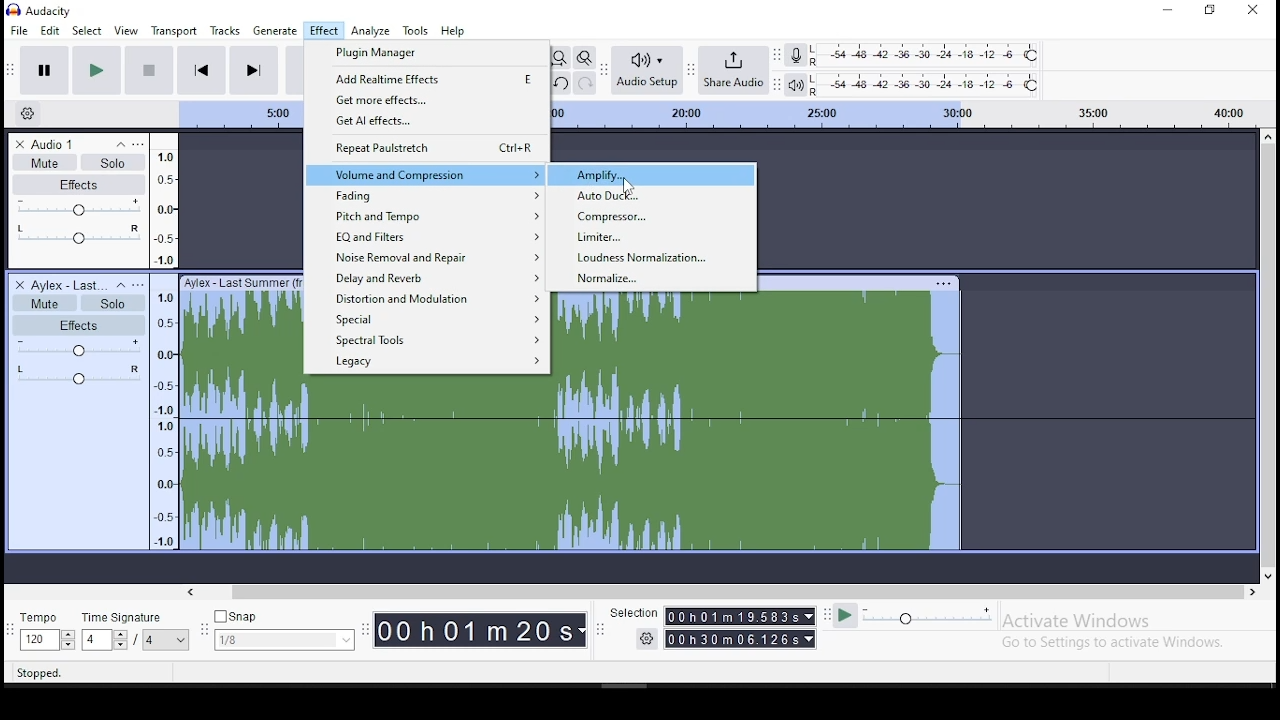 Image resolution: width=1280 pixels, height=720 pixels. What do you see at coordinates (69, 284) in the screenshot?
I see `audio track name` at bounding box center [69, 284].